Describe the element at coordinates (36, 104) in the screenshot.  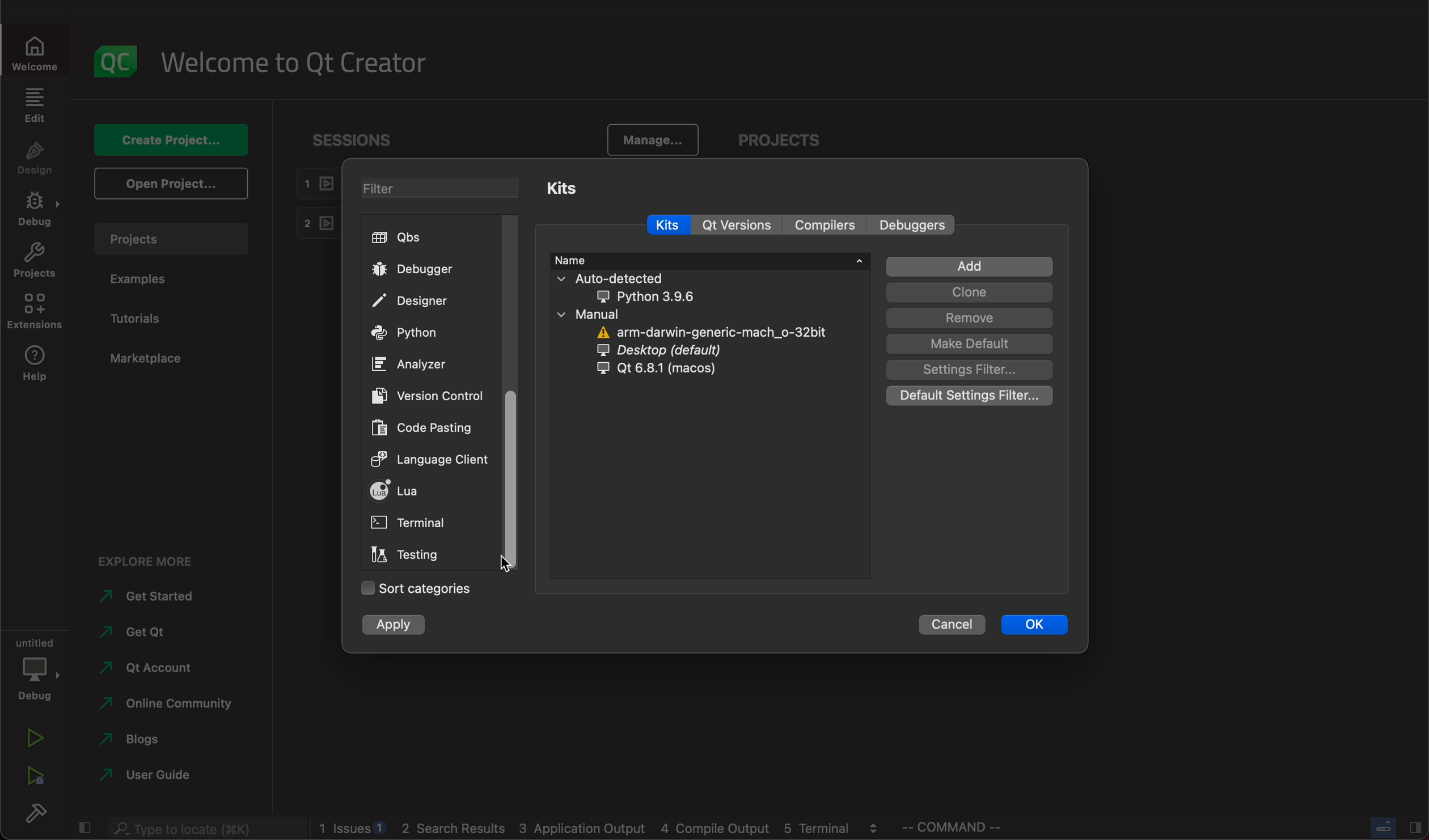
I see `edit` at that location.